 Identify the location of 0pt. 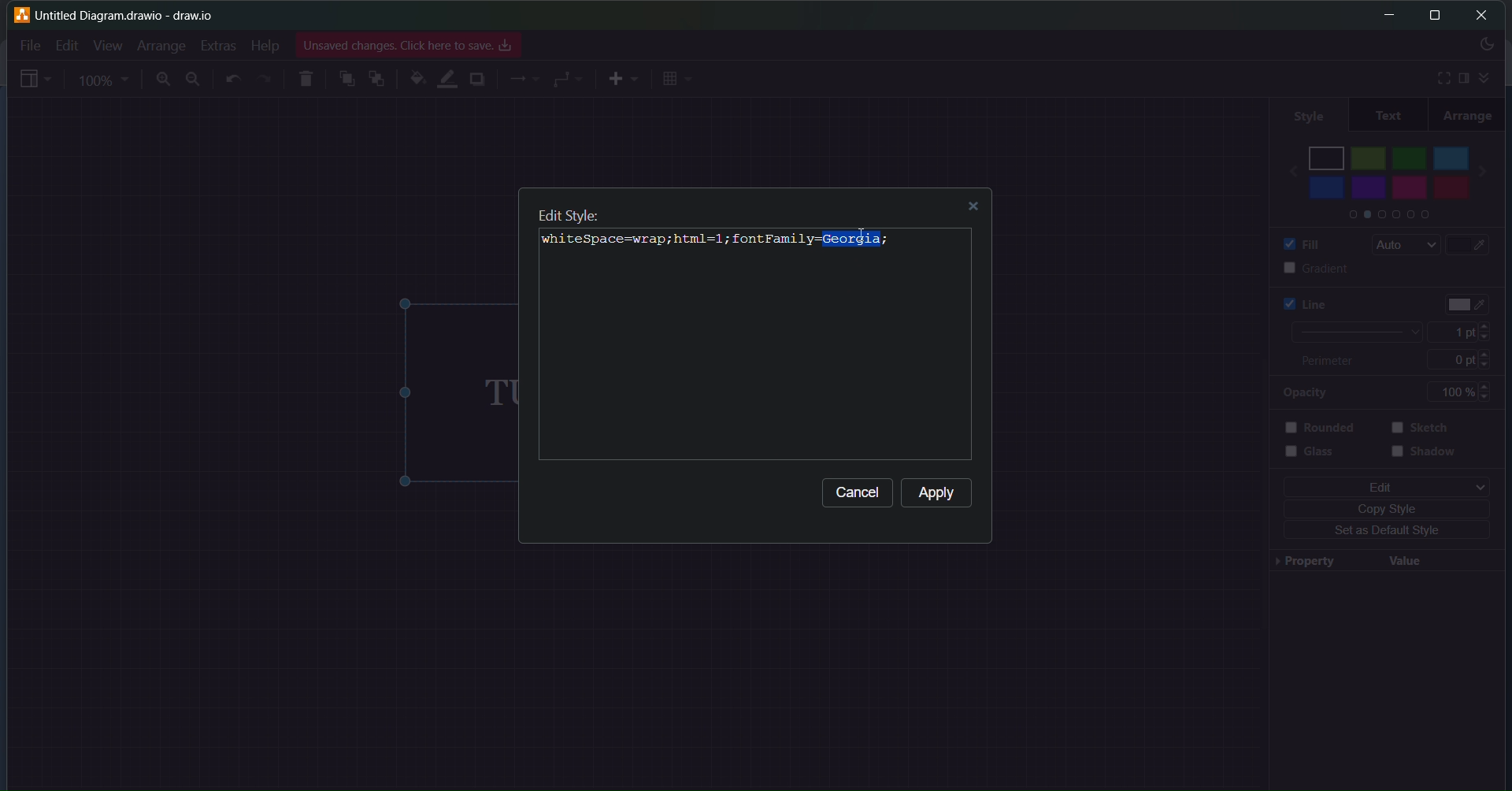
(1471, 358).